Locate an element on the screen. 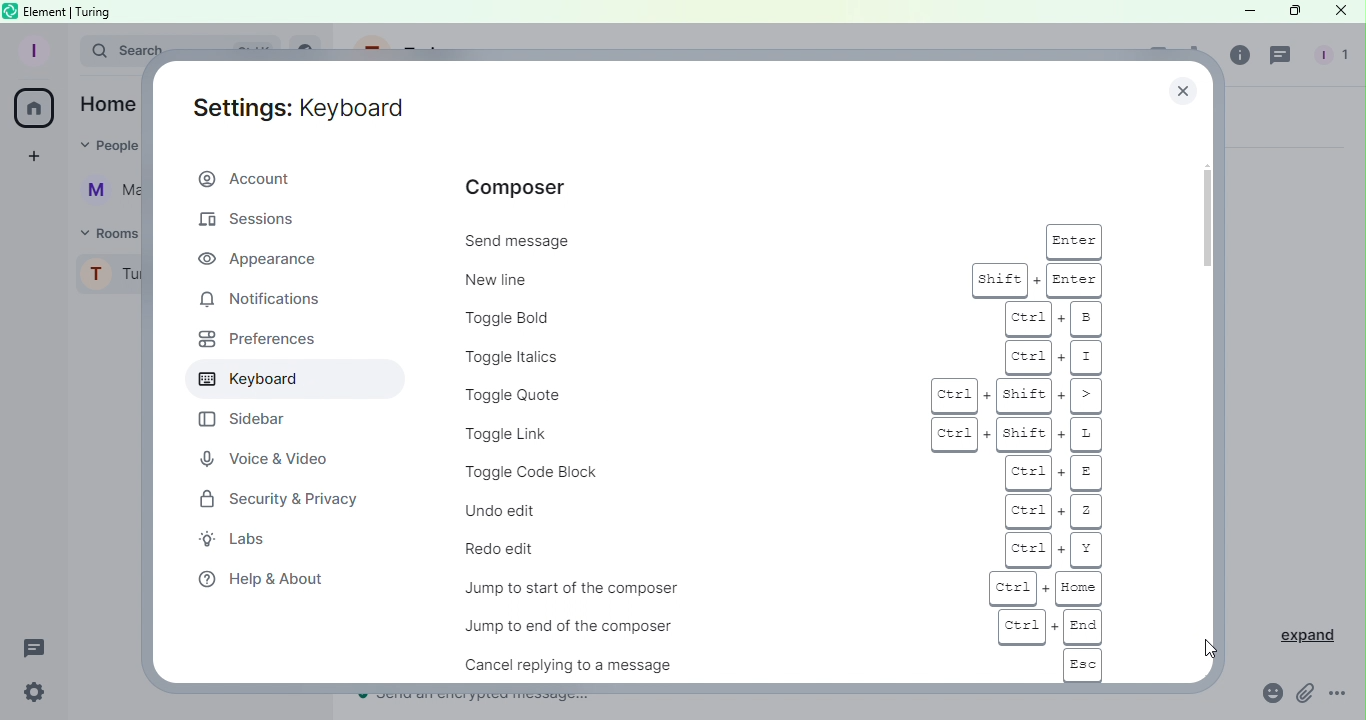  Scroll bar is located at coordinates (1208, 406).